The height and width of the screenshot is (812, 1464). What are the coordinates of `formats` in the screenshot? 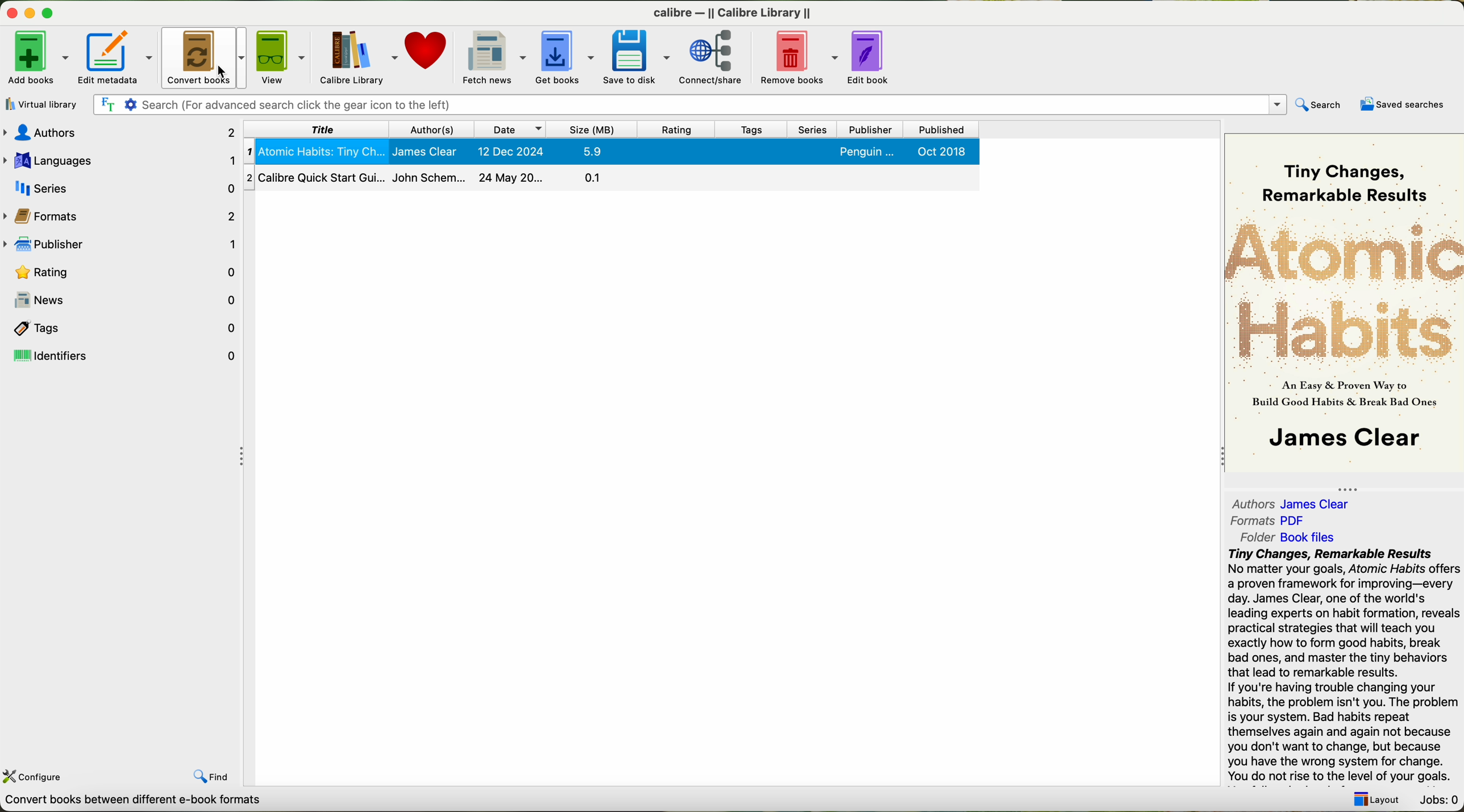 It's located at (1266, 521).